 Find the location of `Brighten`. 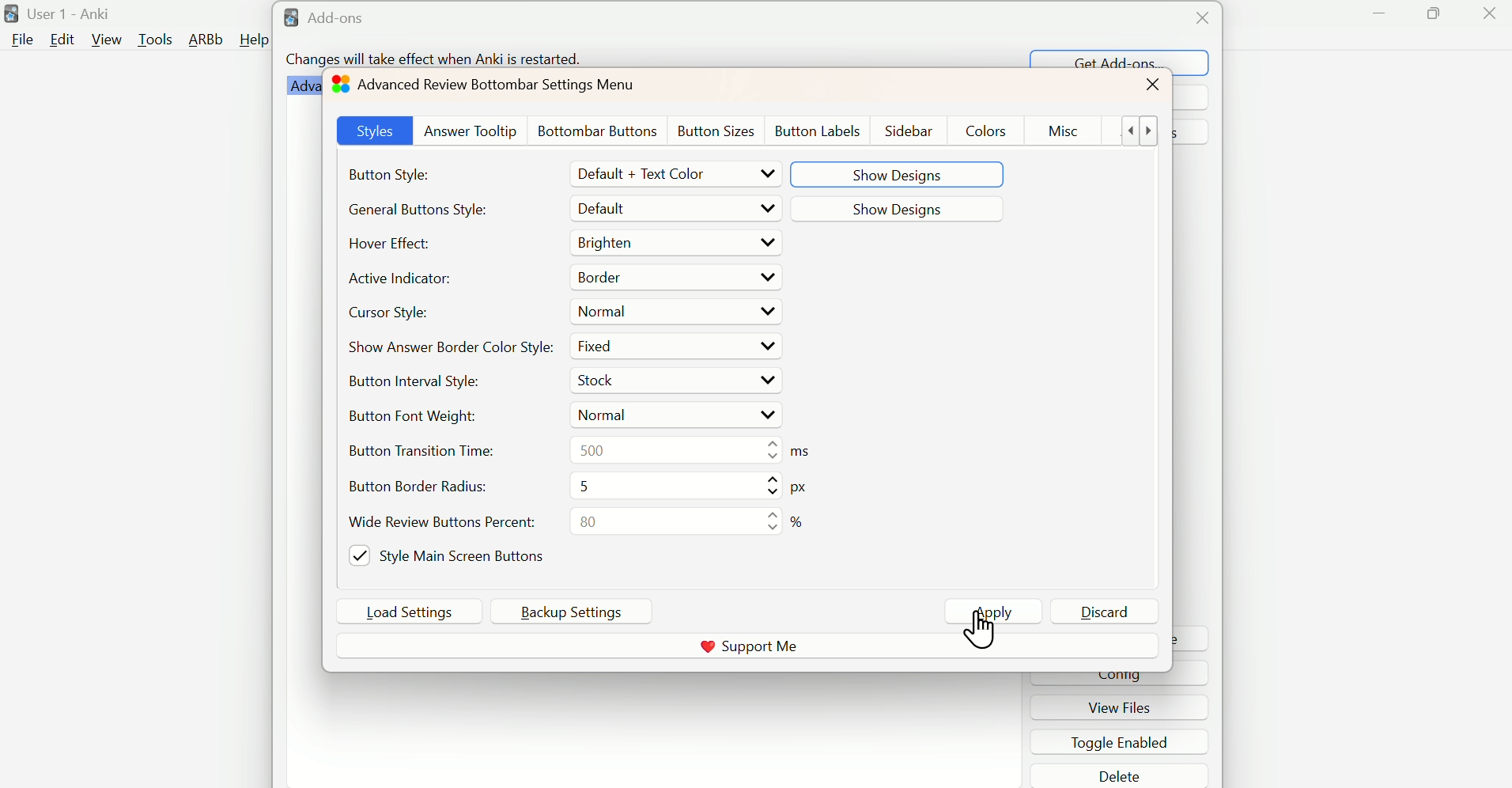

Brighten is located at coordinates (603, 243).